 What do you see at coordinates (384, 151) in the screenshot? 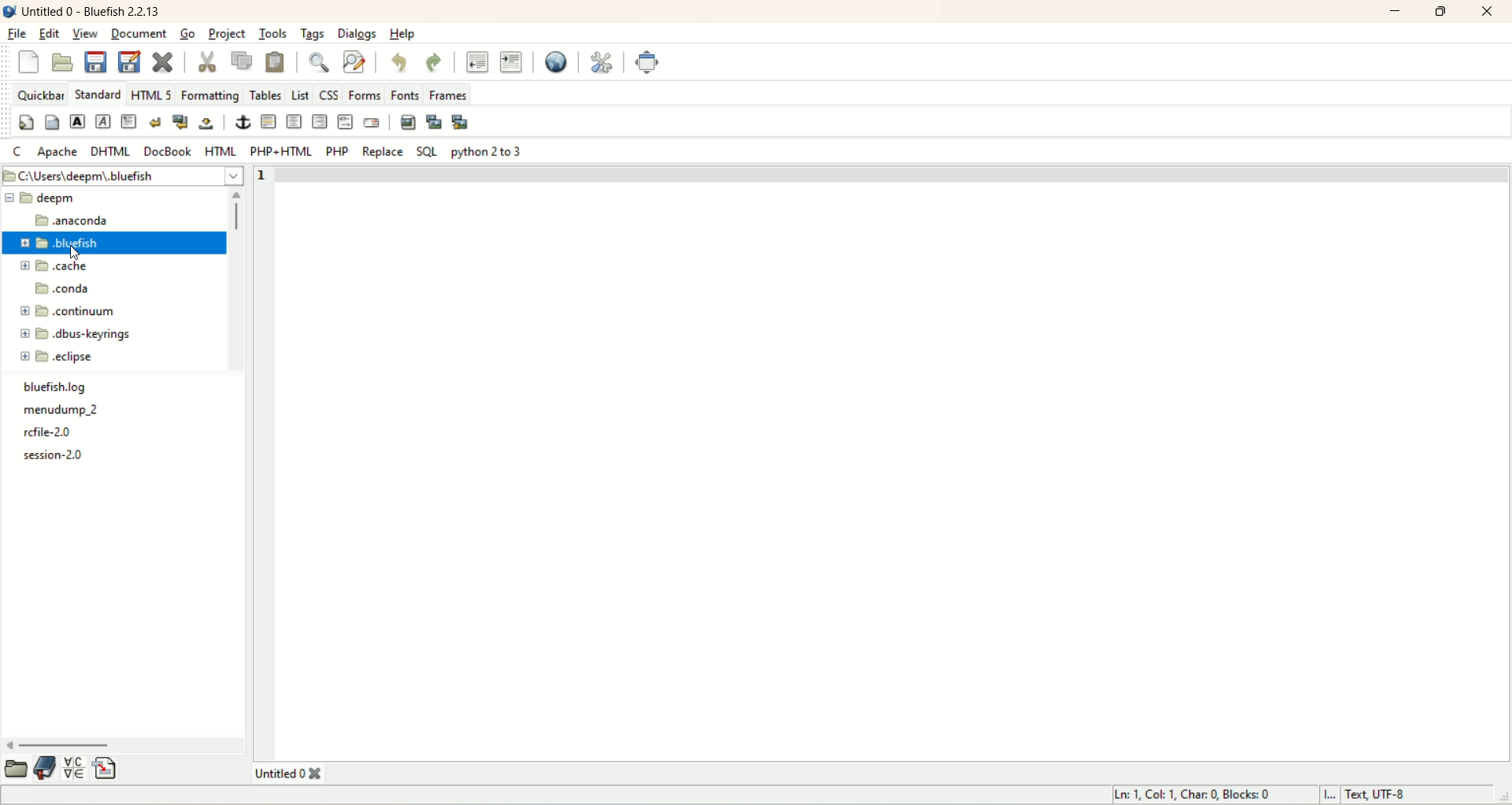
I see `replace` at bounding box center [384, 151].